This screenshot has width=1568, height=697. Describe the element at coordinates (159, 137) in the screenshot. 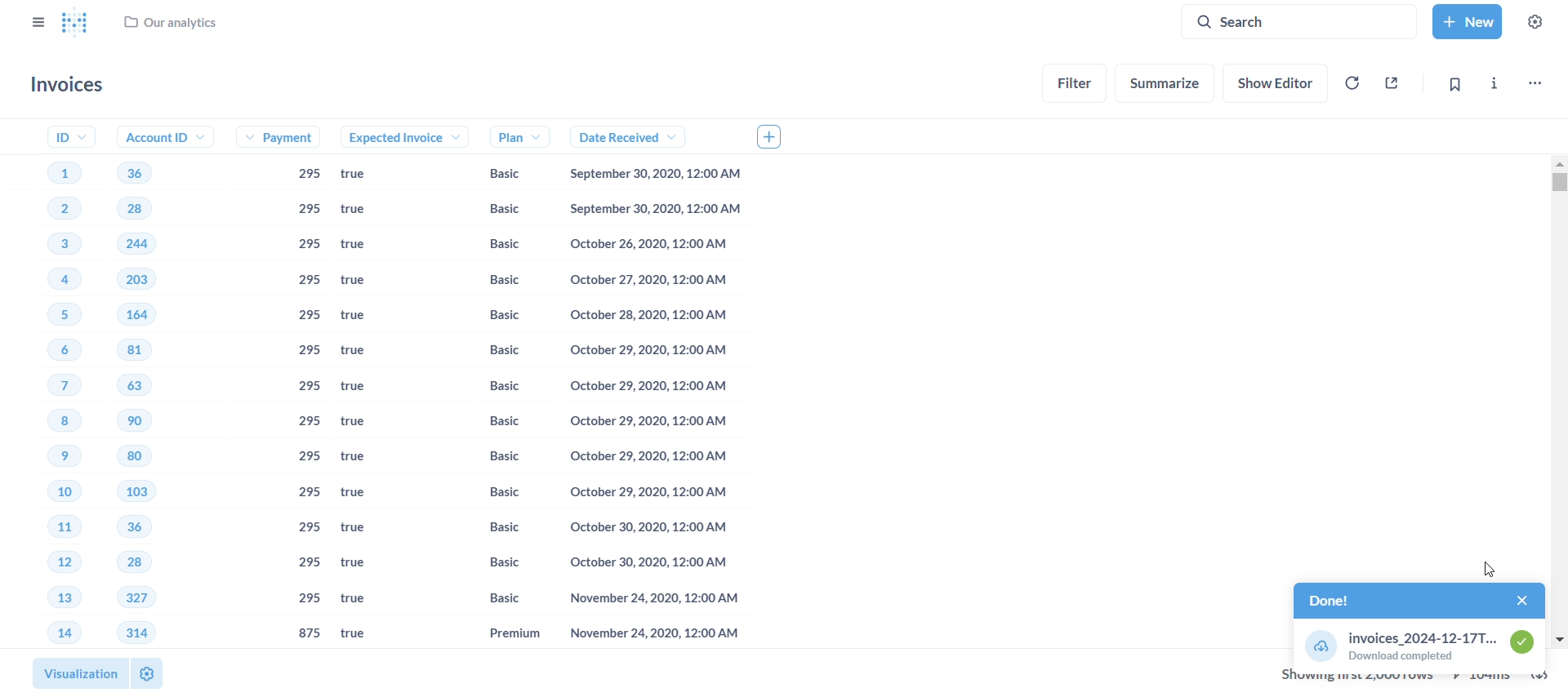

I see `account ID` at that location.